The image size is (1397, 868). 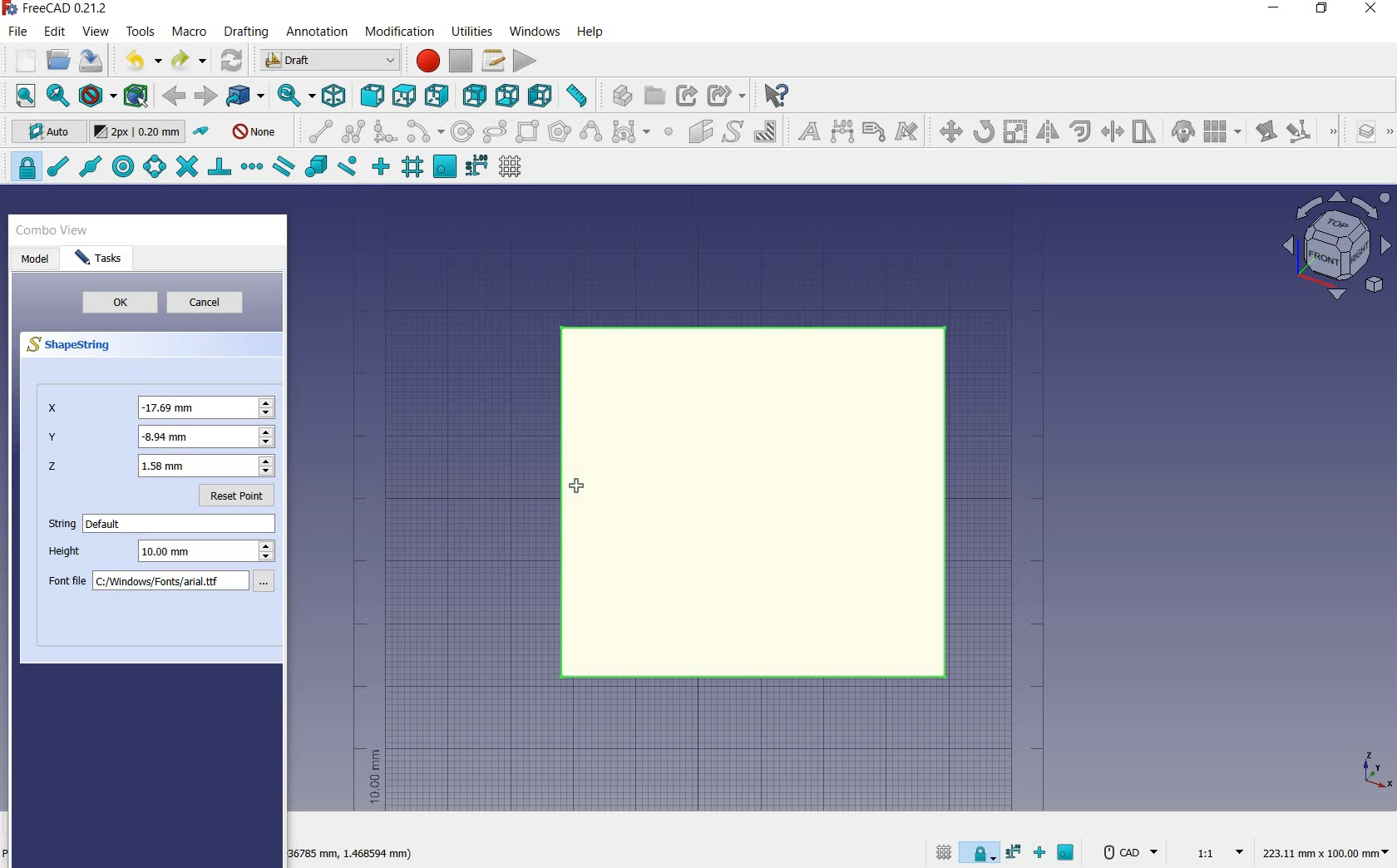 What do you see at coordinates (981, 849) in the screenshot?
I see `snap lock` at bounding box center [981, 849].